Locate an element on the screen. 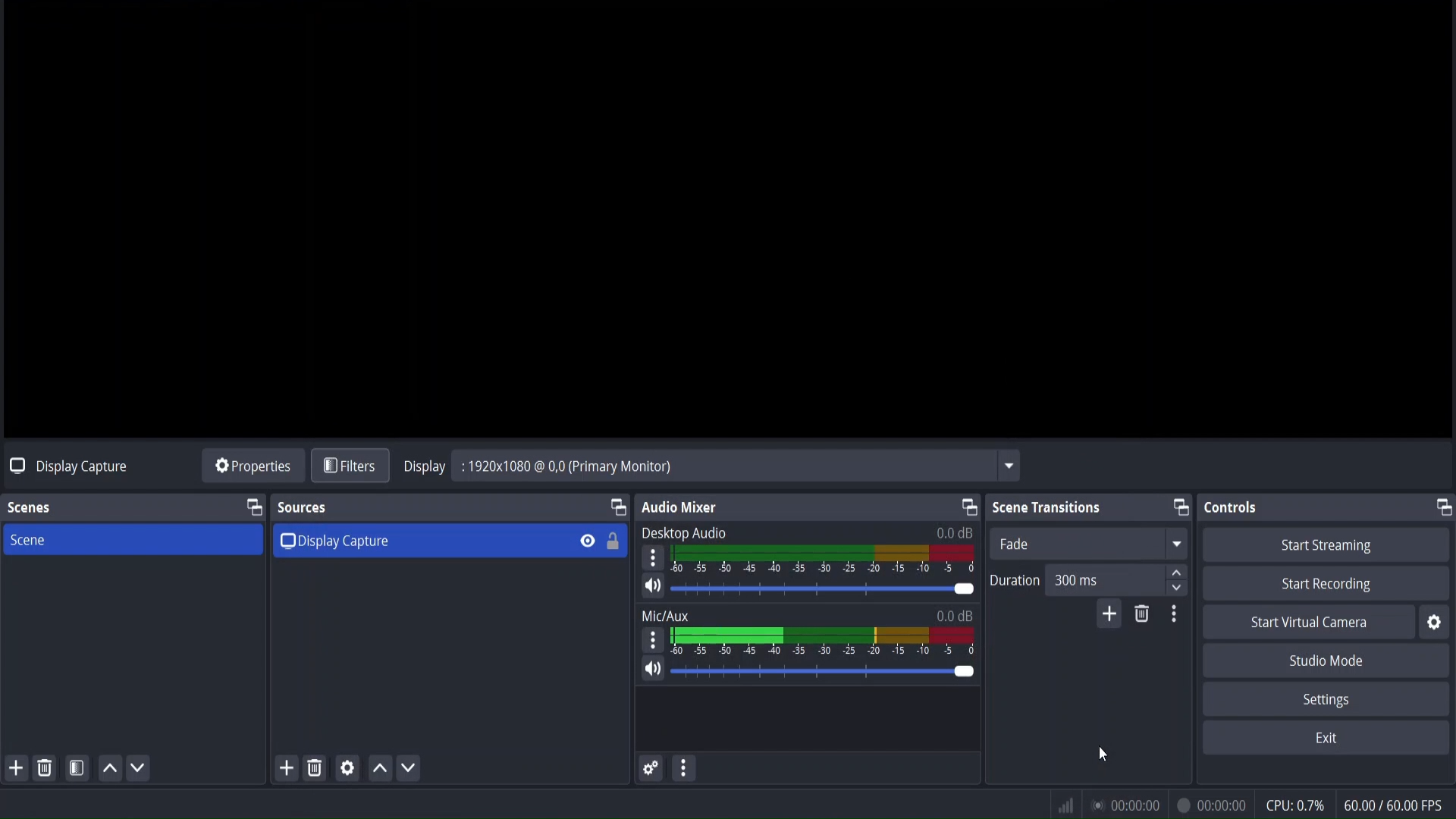 The width and height of the screenshot is (1456, 819). media source properties is located at coordinates (348, 768).